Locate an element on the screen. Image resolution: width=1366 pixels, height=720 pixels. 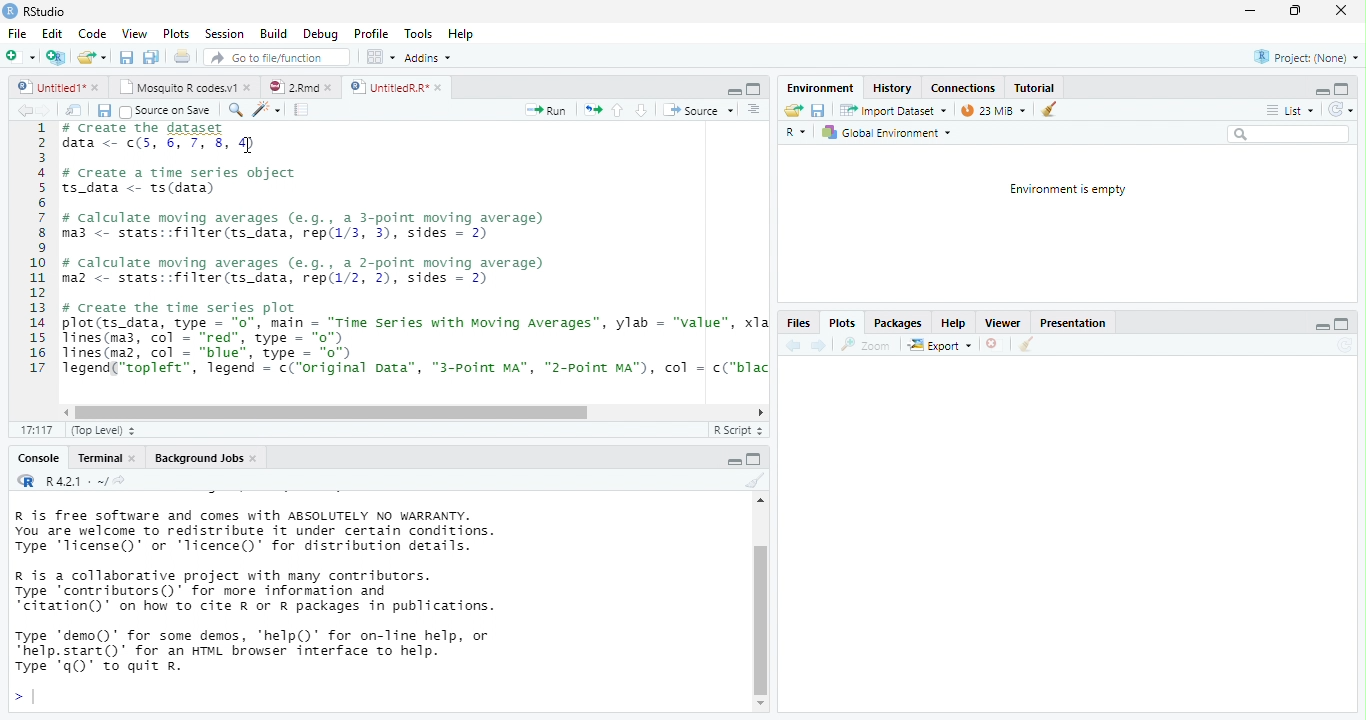
Edit is located at coordinates (52, 33).